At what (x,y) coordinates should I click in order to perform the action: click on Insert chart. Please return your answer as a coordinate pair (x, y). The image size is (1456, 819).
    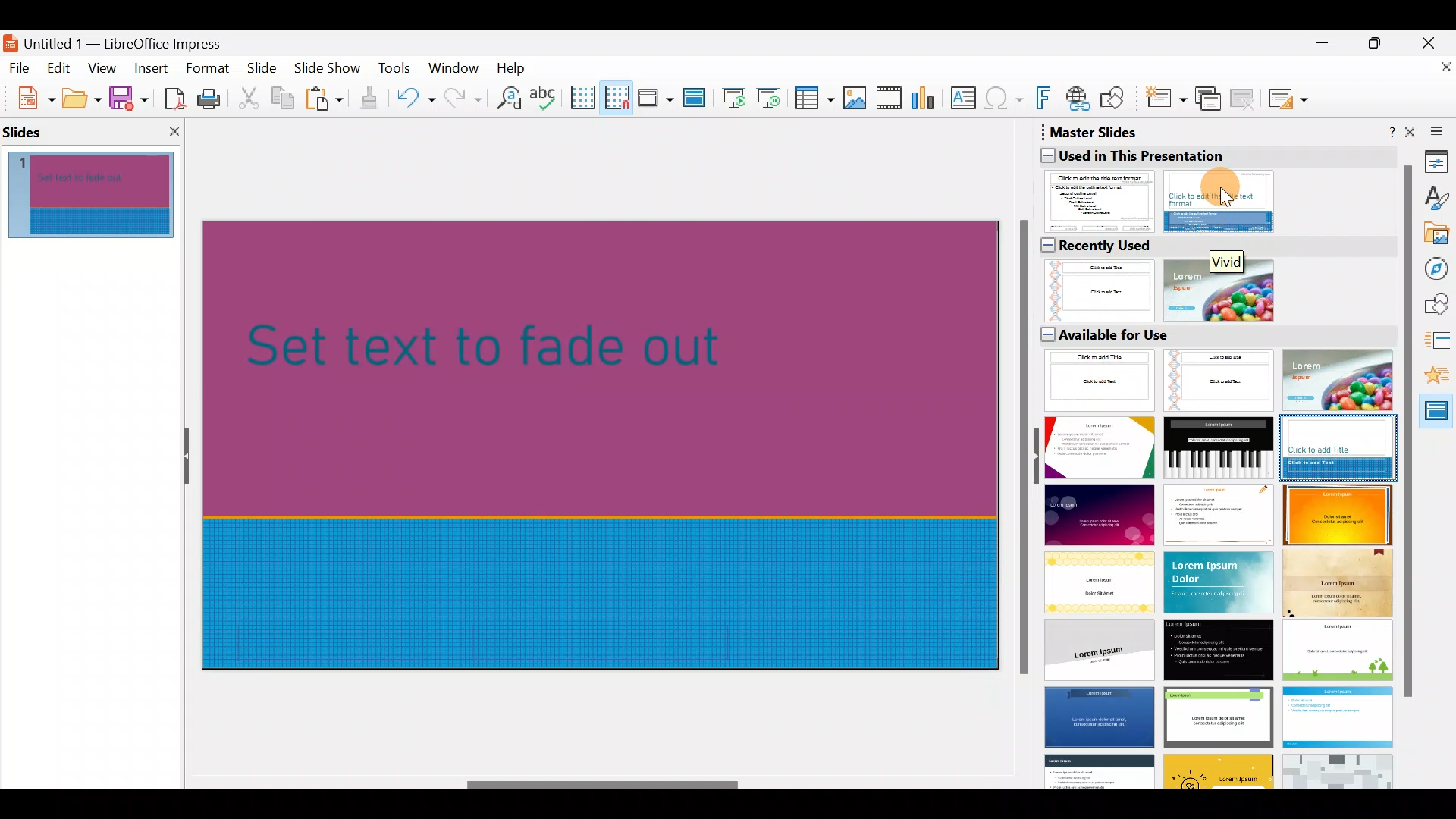
    Looking at the image, I should click on (927, 99).